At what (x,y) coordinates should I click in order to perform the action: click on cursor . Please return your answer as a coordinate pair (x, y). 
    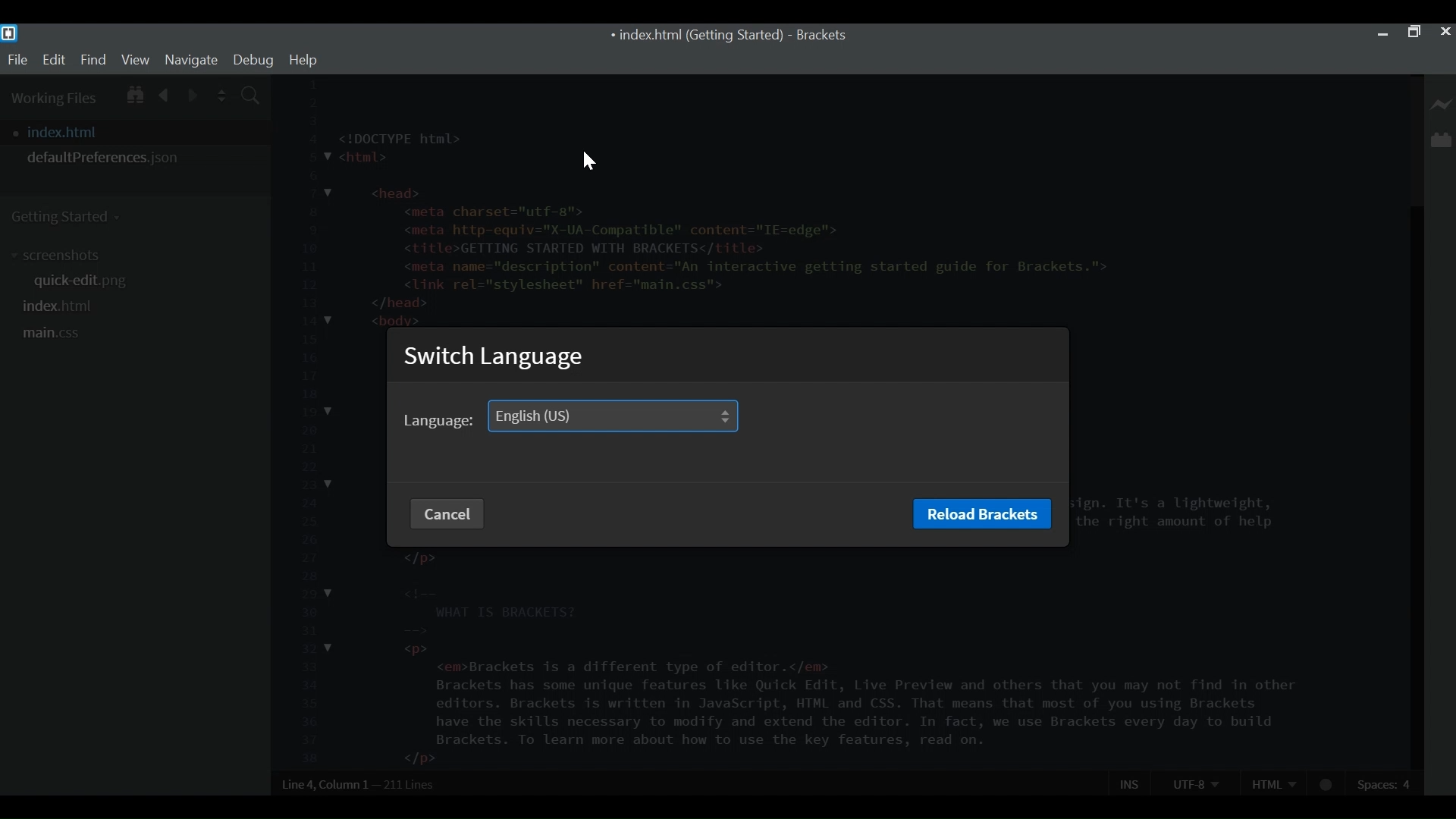
    Looking at the image, I should click on (587, 162).